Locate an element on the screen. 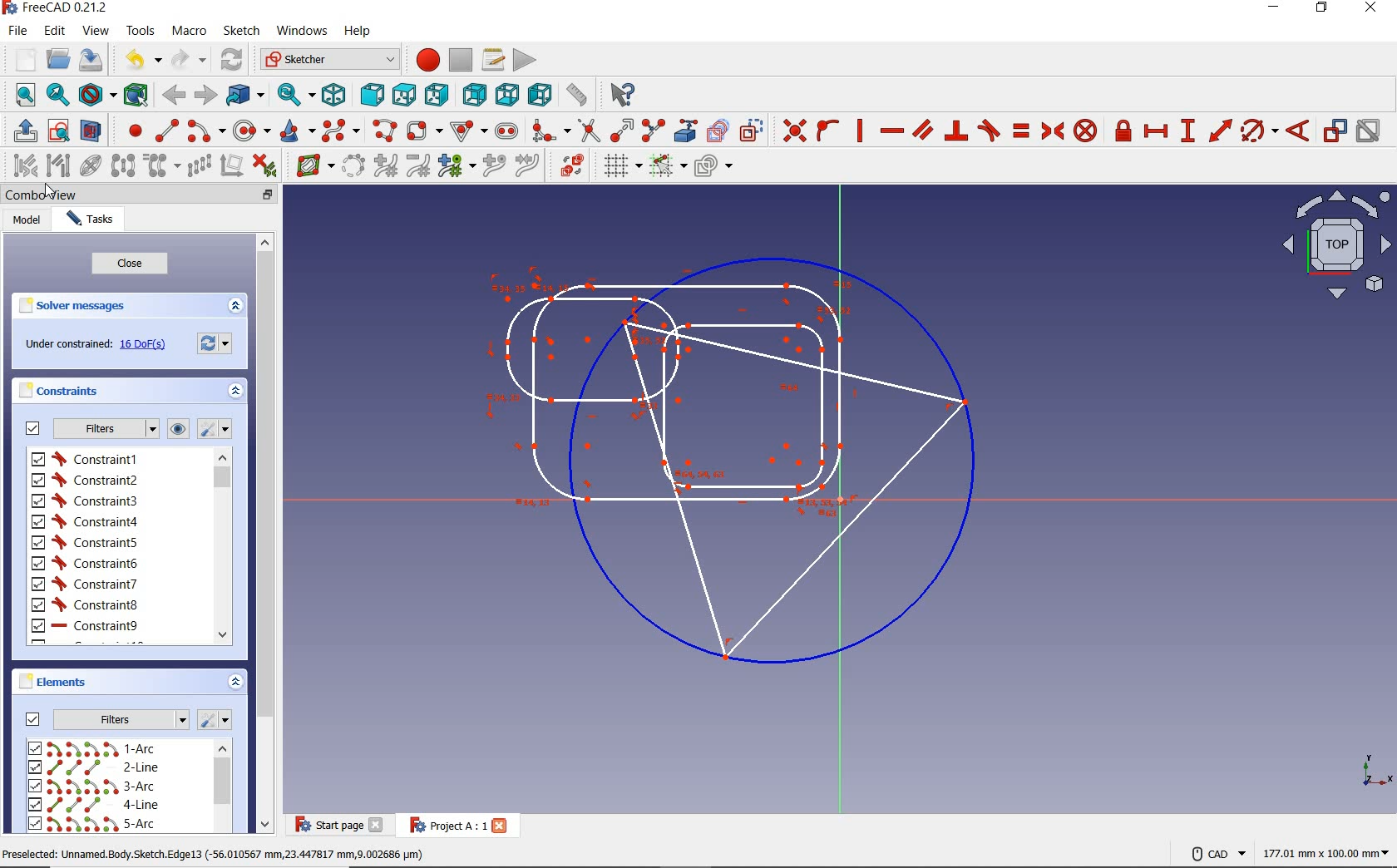 This screenshot has width=1397, height=868. under constrained: 16 DoF(s) is located at coordinates (94, 344).